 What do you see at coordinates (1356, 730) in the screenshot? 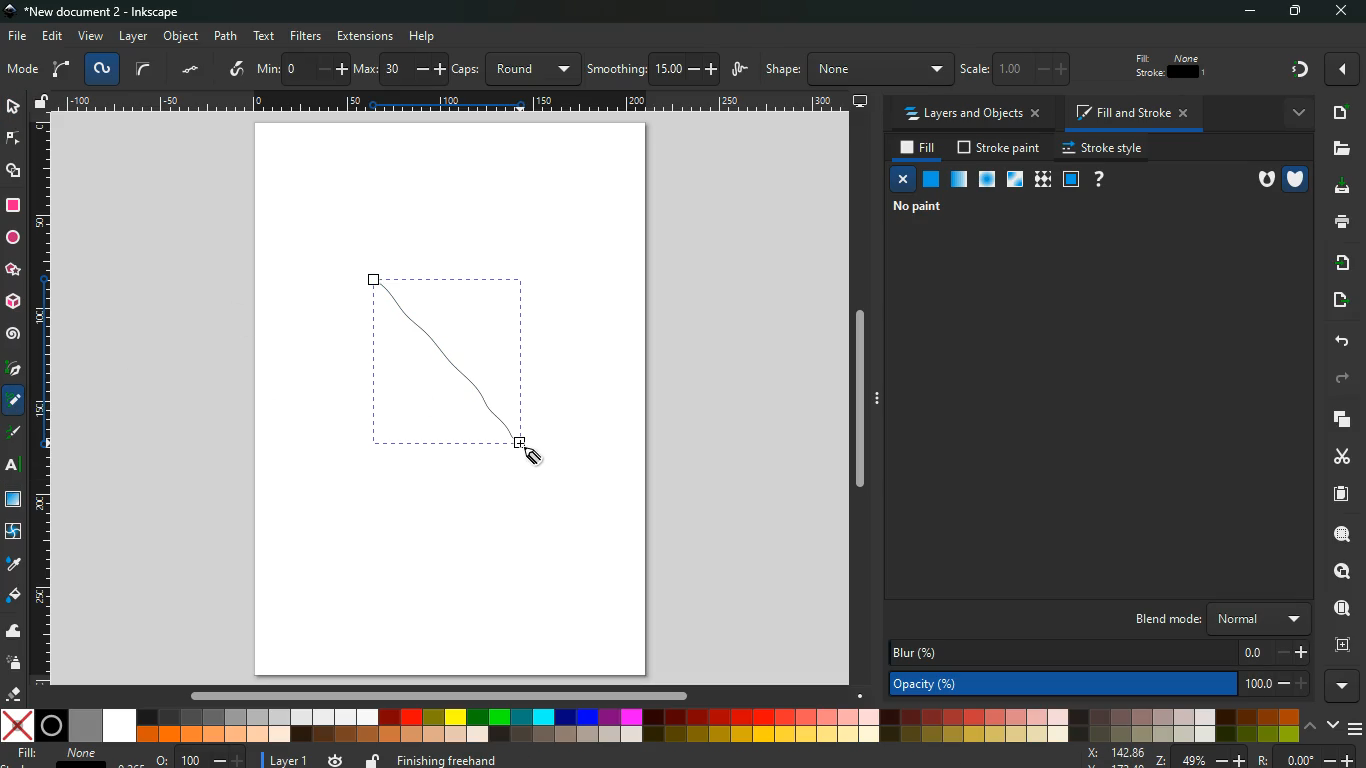
I see `menu` at bounding box center [1356, 730].